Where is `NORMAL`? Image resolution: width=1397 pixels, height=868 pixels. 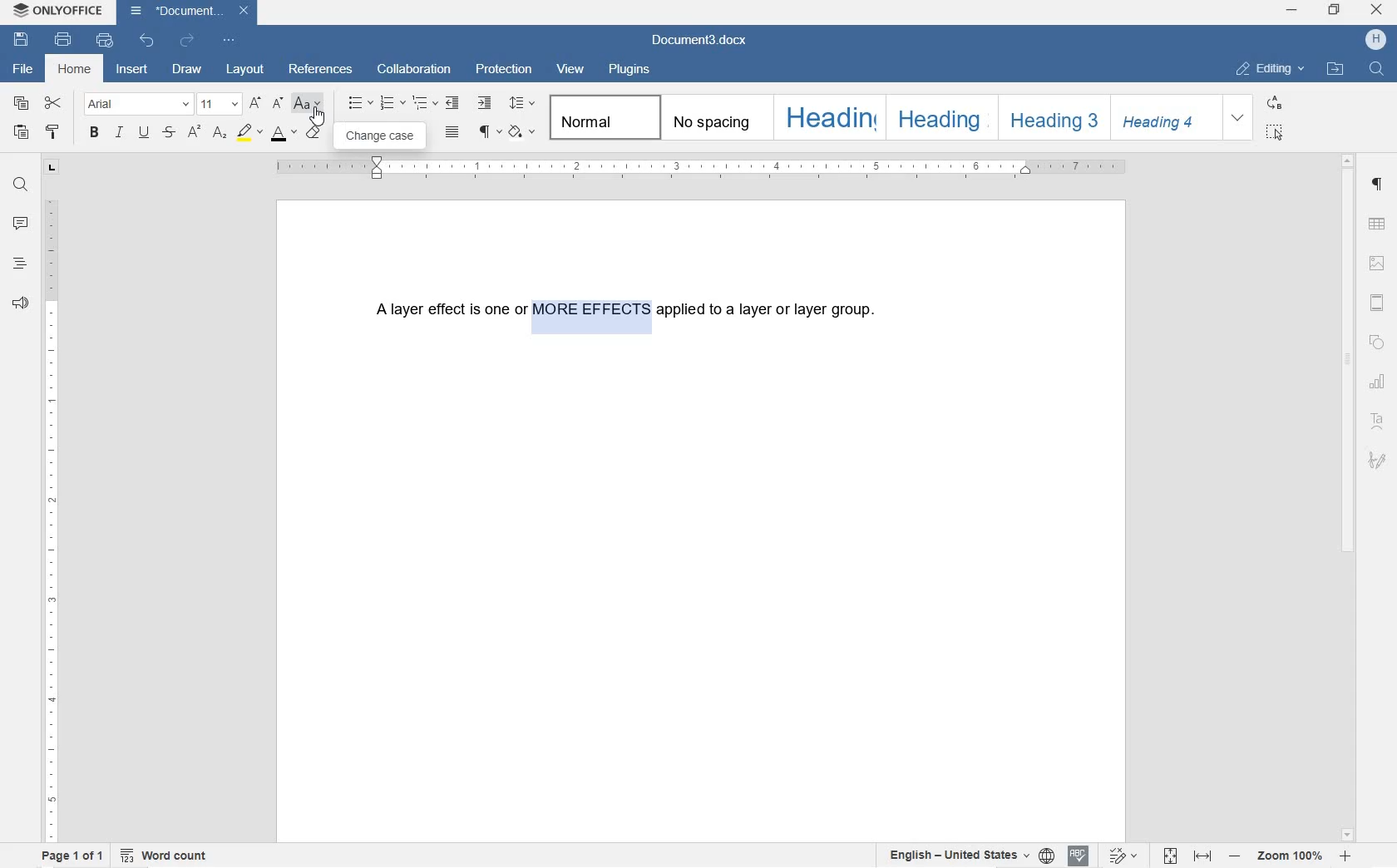
NORMAL is located at coordinates (602, 117).